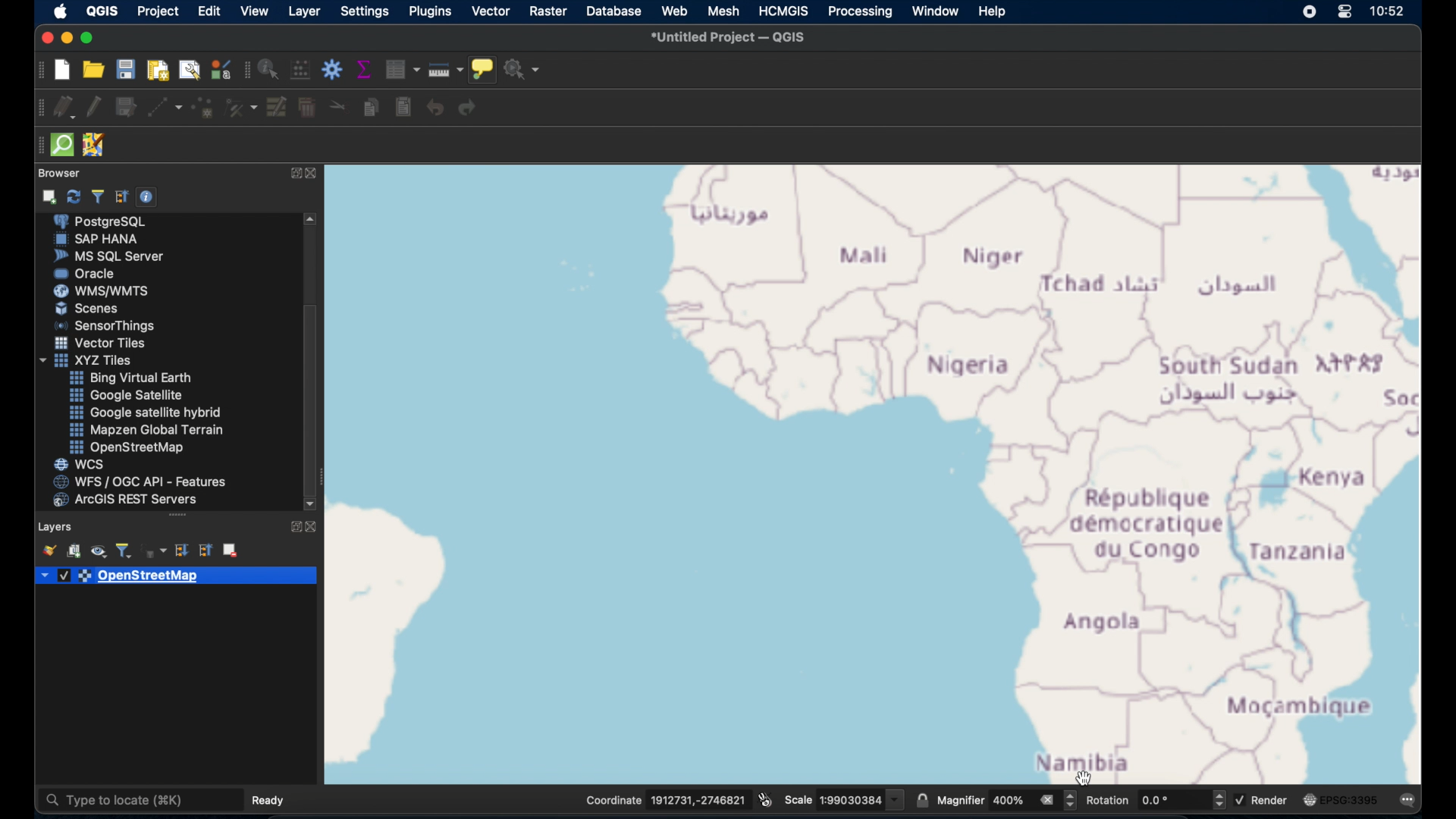 Image resolution: width=1456 pixels, height=819 pixels. What do you see at coordinates (38, 70) in the screenshot?
I see `project toolbar` at bounding box center [38, 70].